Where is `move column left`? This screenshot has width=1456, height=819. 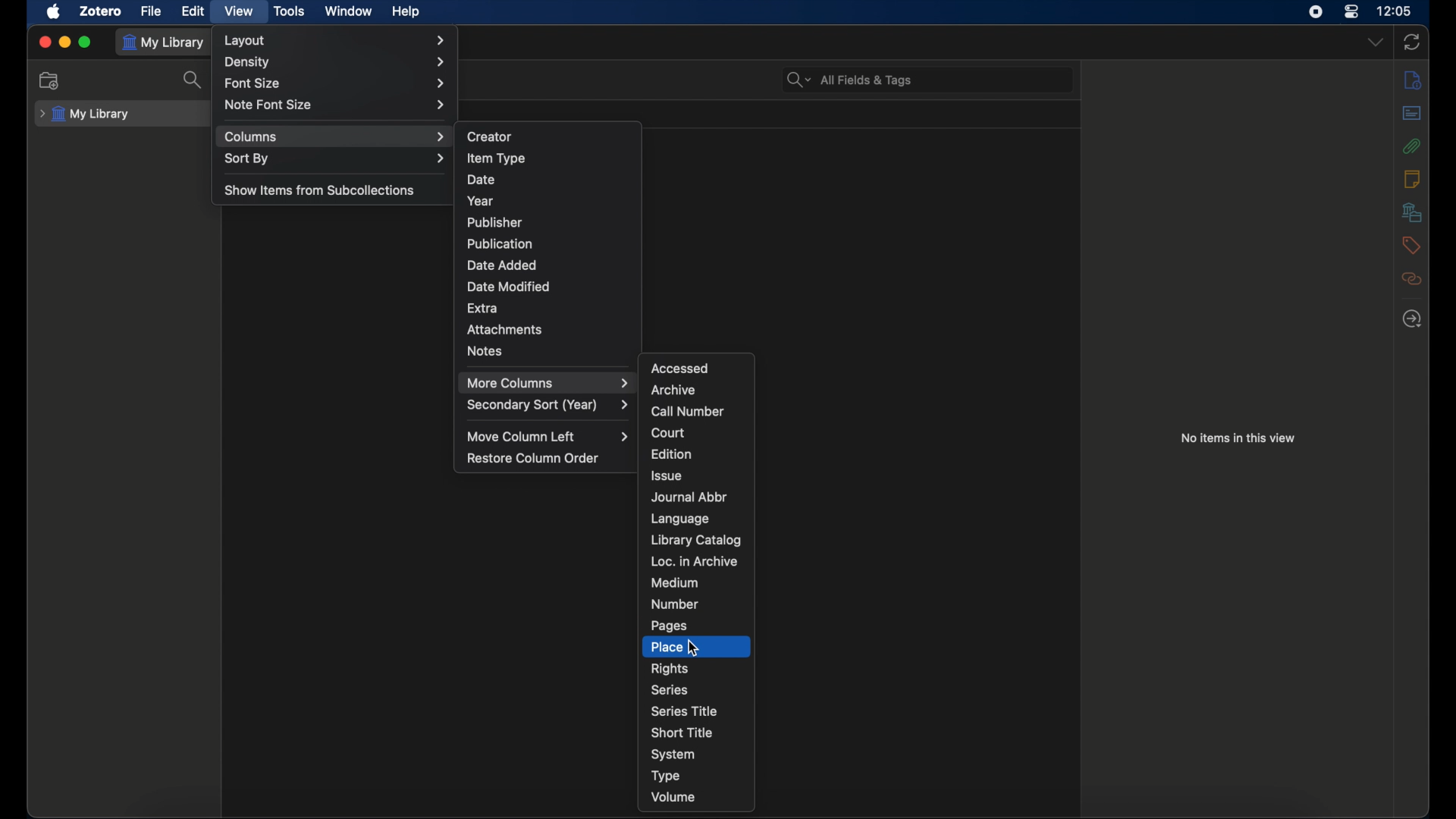 move column left is located at coordinates (549, 437).